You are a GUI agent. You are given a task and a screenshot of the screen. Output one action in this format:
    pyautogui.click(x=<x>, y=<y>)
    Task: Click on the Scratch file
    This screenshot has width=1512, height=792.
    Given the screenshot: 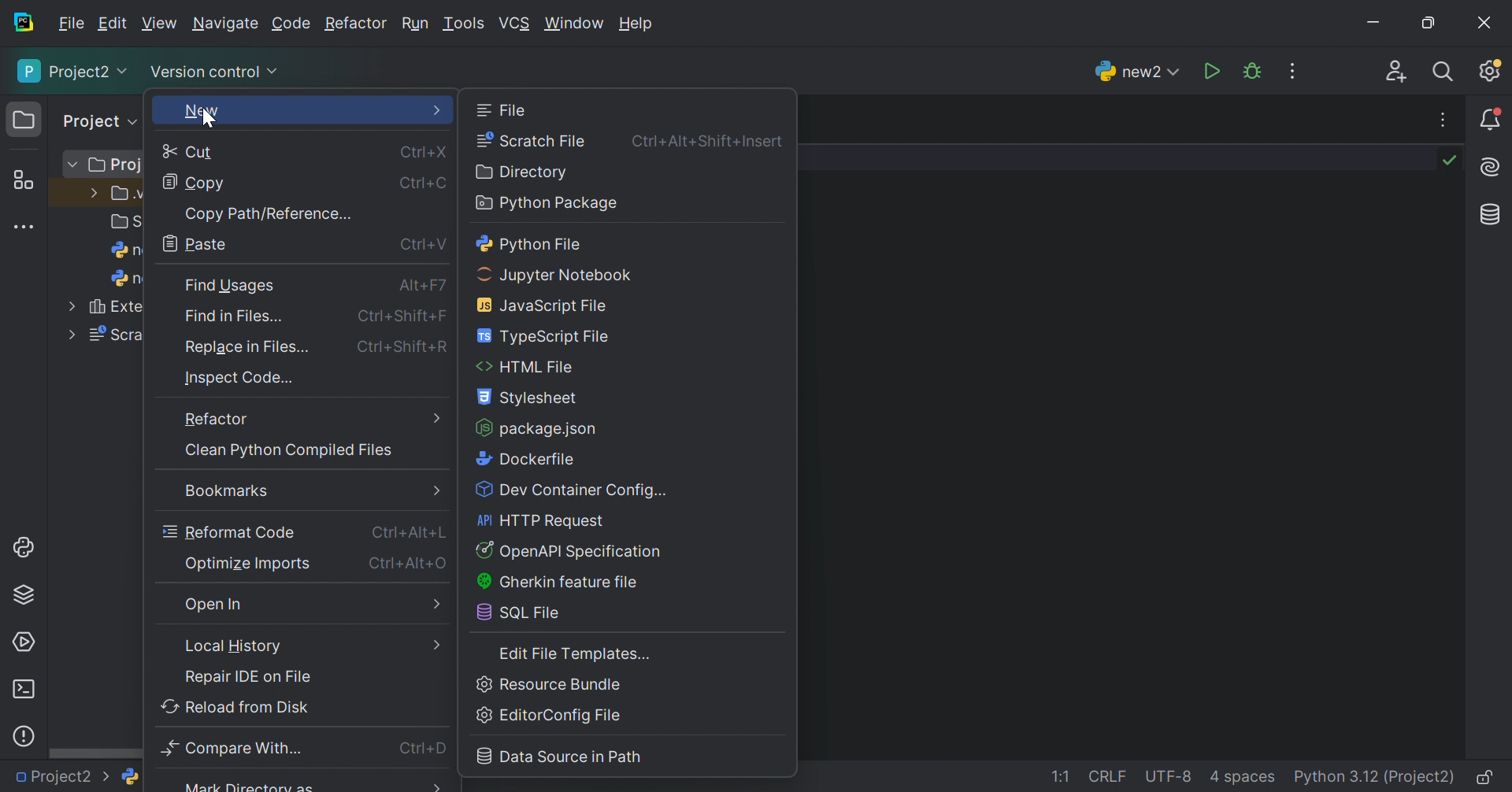 What is the action you would take?
    pyautogui.click(x=533, y=142)
    